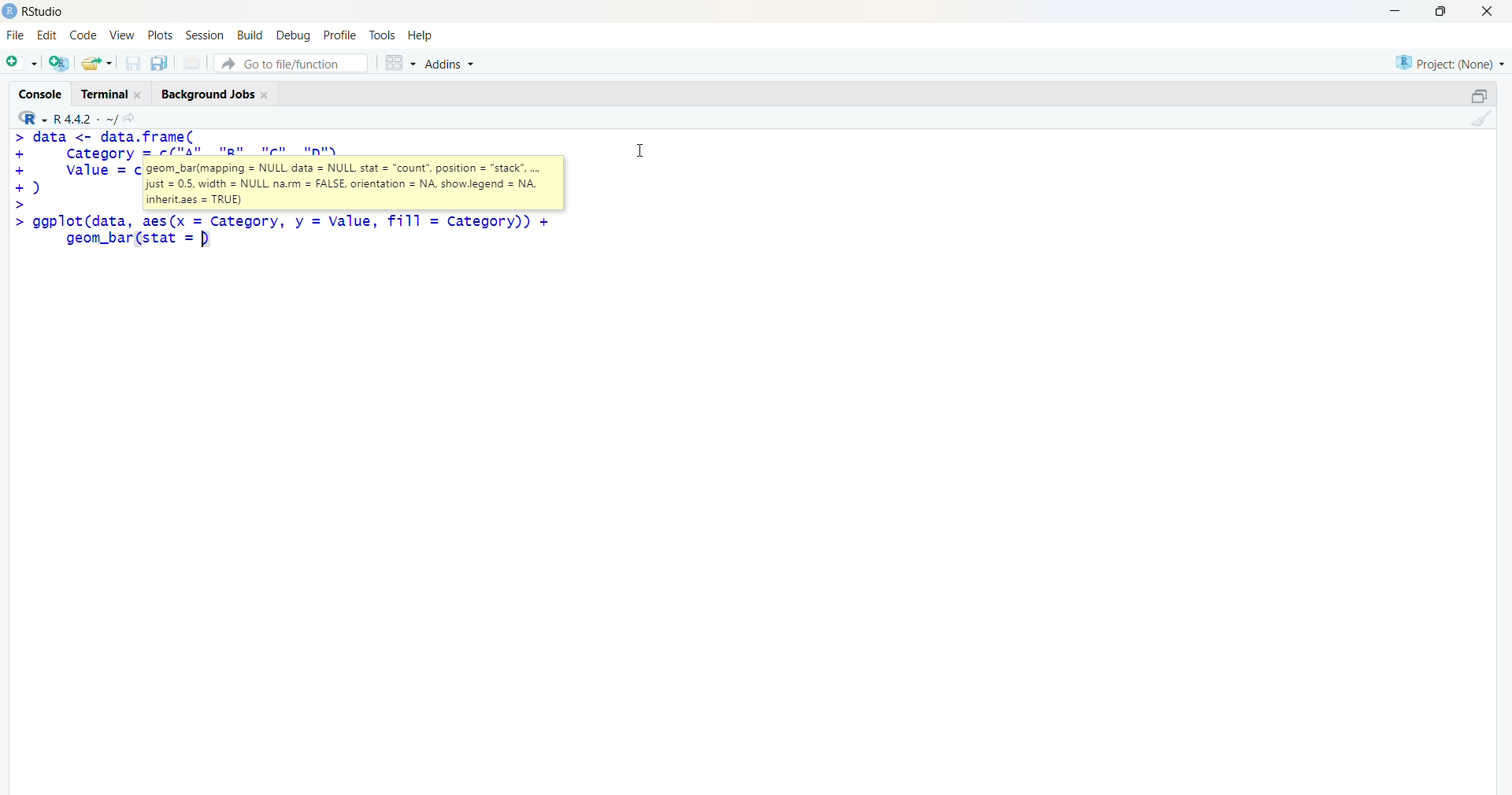 The image size is (1512, 795). What do you see at coordinates (109, 92) in the screenshot?
I see `Terminal` at bounding box center [109, 92].